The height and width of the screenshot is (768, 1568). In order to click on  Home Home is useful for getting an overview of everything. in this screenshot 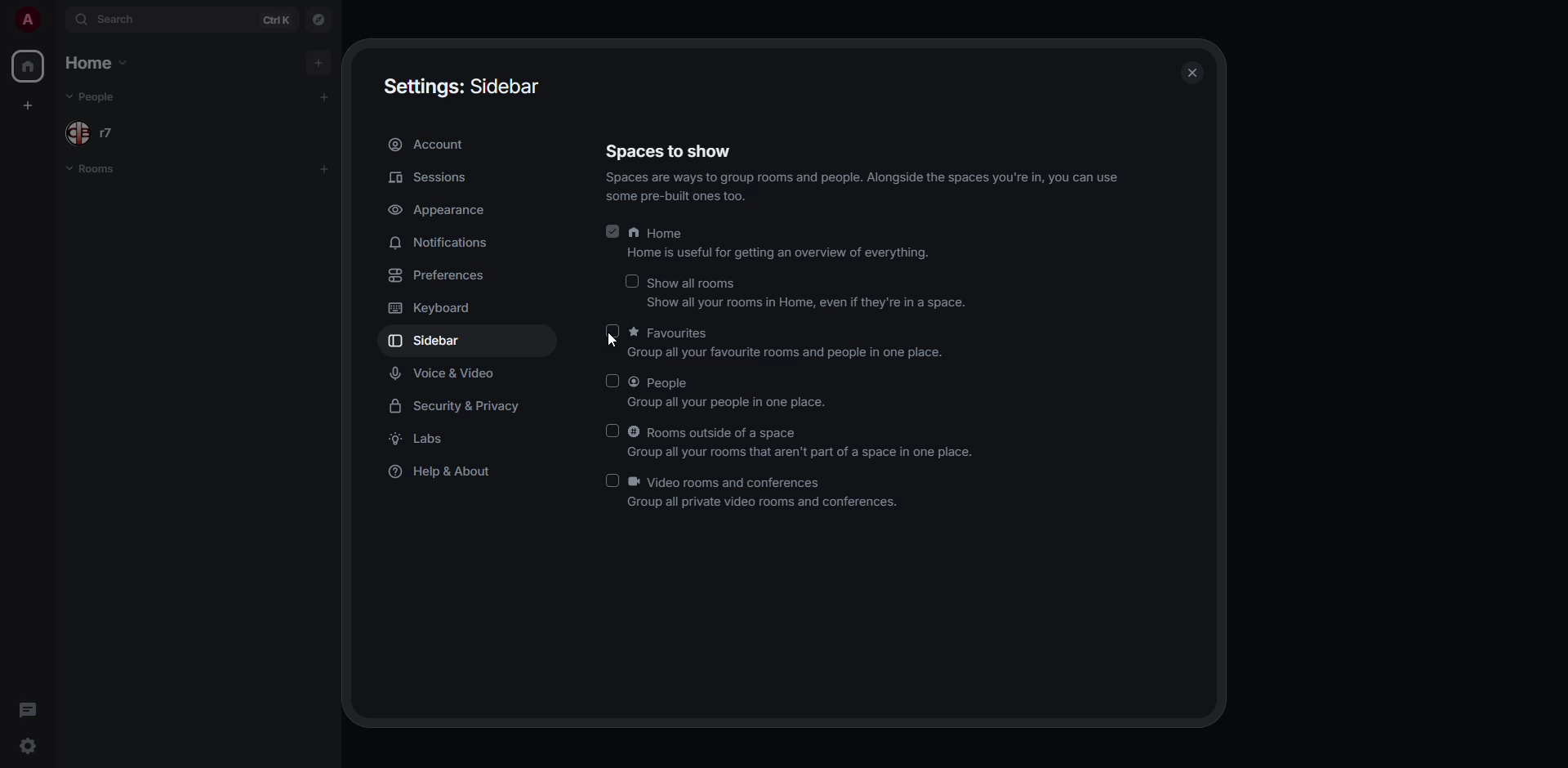, I will do `click(781, 242)`.